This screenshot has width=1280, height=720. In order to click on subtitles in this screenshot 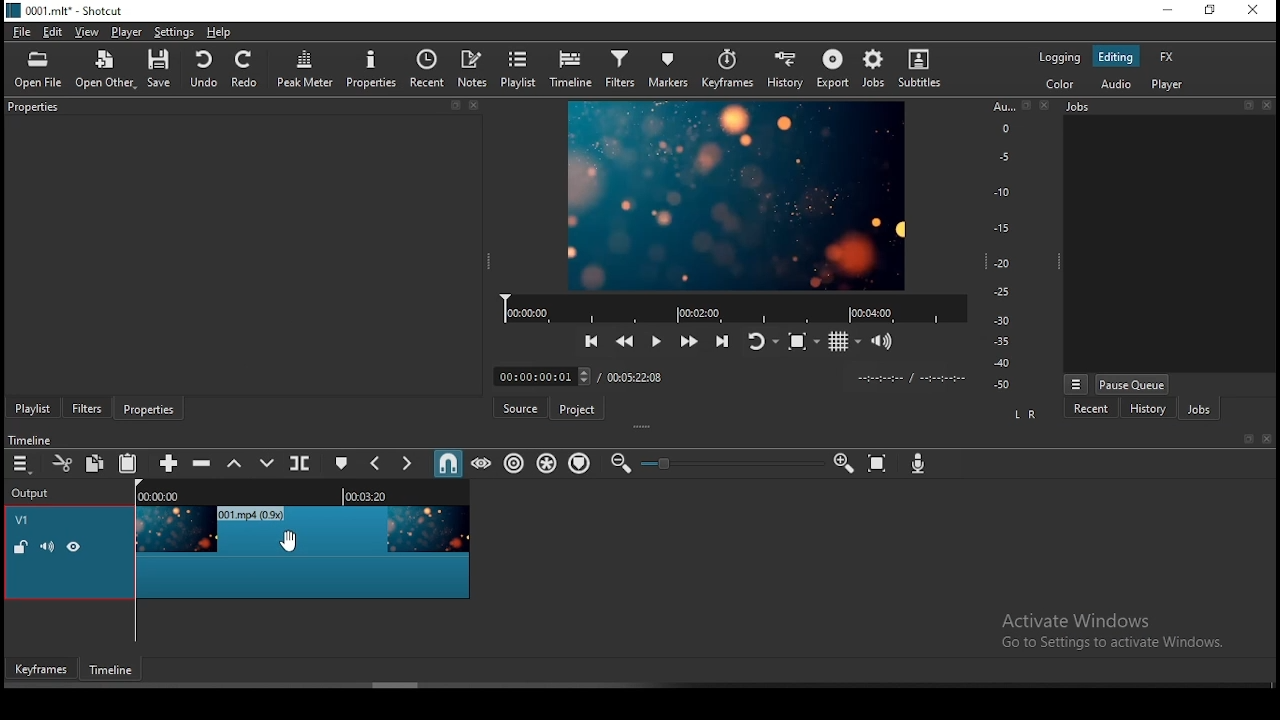, I will do `click(919, 68)`.